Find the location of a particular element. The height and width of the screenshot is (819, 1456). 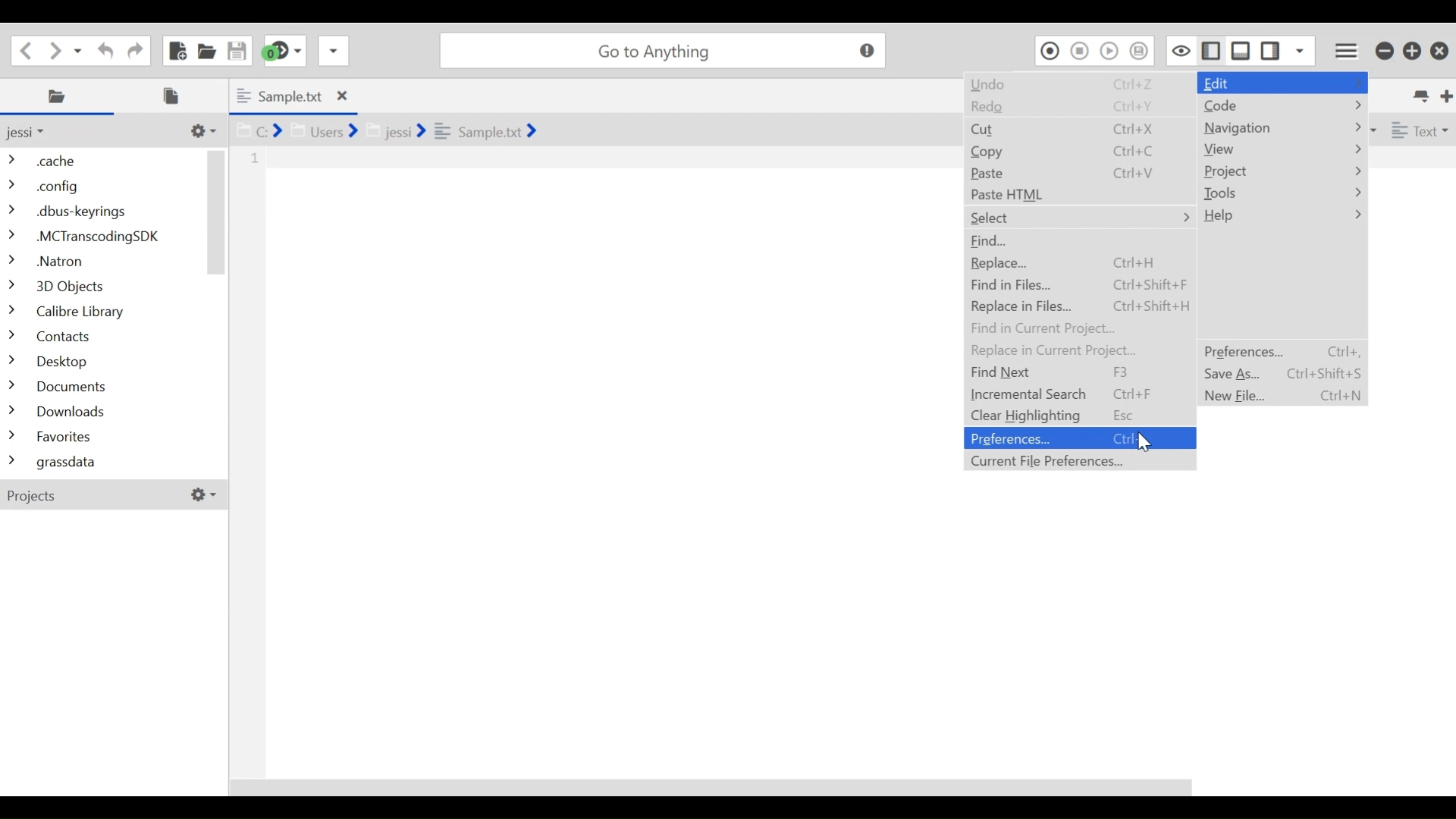

Folders is located at coordinates (102, 313).